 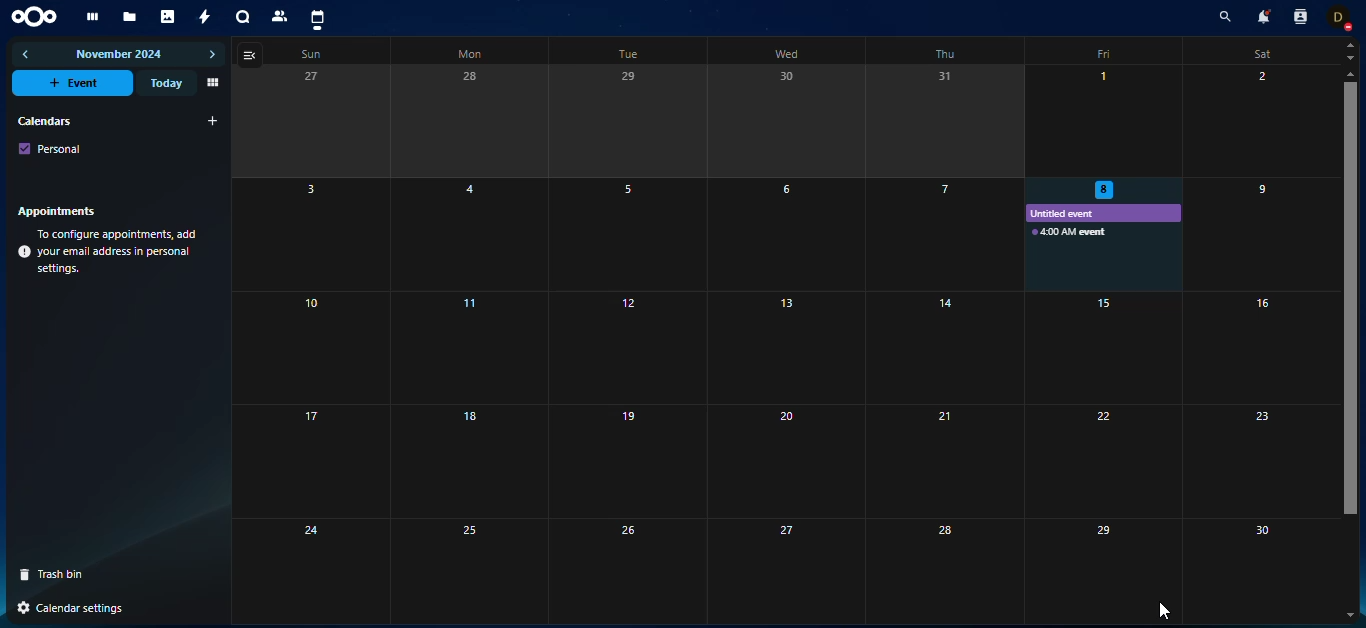 I want to click on fri, so click(x=1106, y=52).